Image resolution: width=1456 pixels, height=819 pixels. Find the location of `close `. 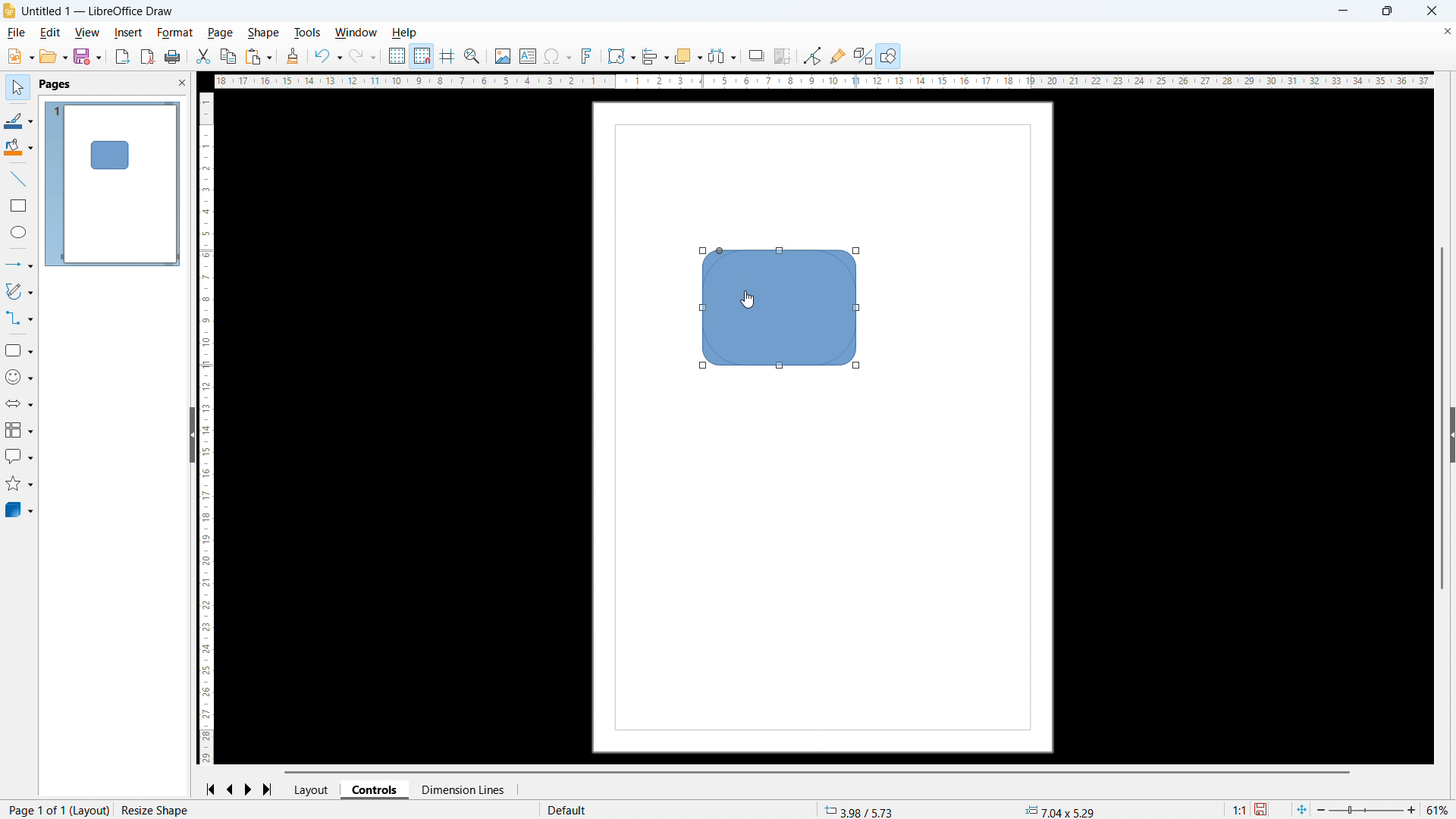

close  is located at coordinates (1431, 11).